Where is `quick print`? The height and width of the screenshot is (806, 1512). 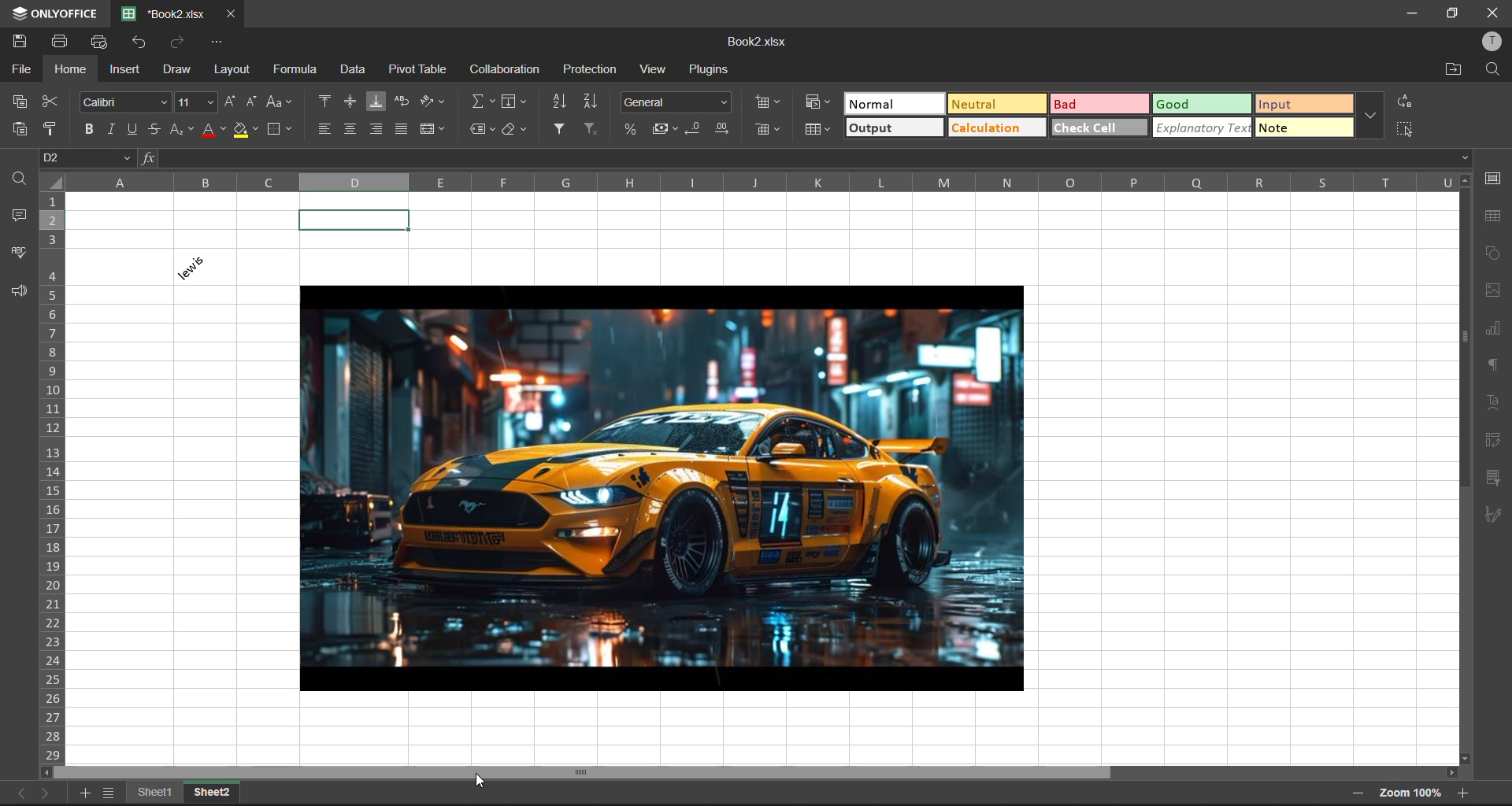
quick print is located at coordinates (102, 43).